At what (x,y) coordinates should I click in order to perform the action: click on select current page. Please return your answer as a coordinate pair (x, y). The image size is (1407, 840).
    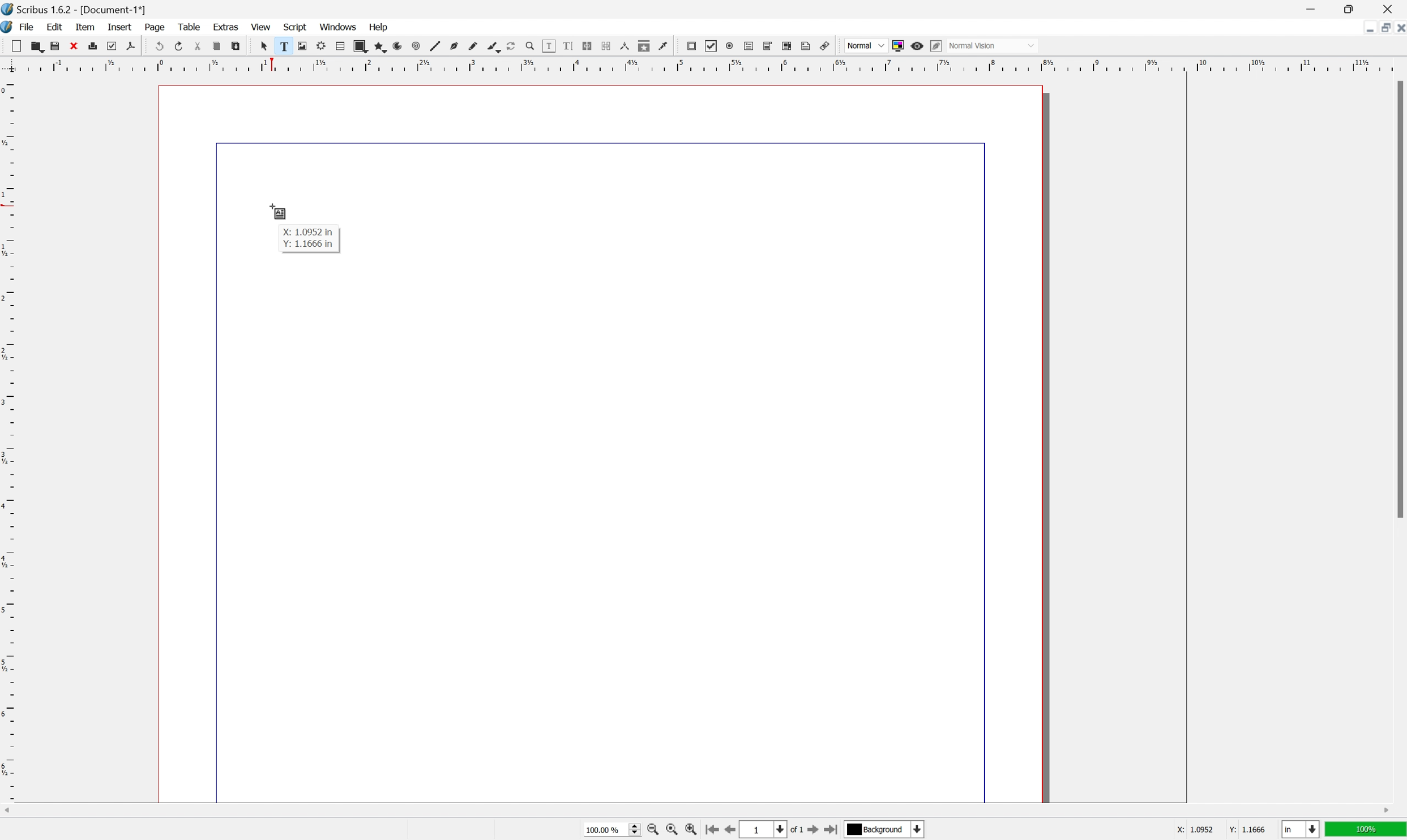
    Looking at the image, I should click on (774, 830).